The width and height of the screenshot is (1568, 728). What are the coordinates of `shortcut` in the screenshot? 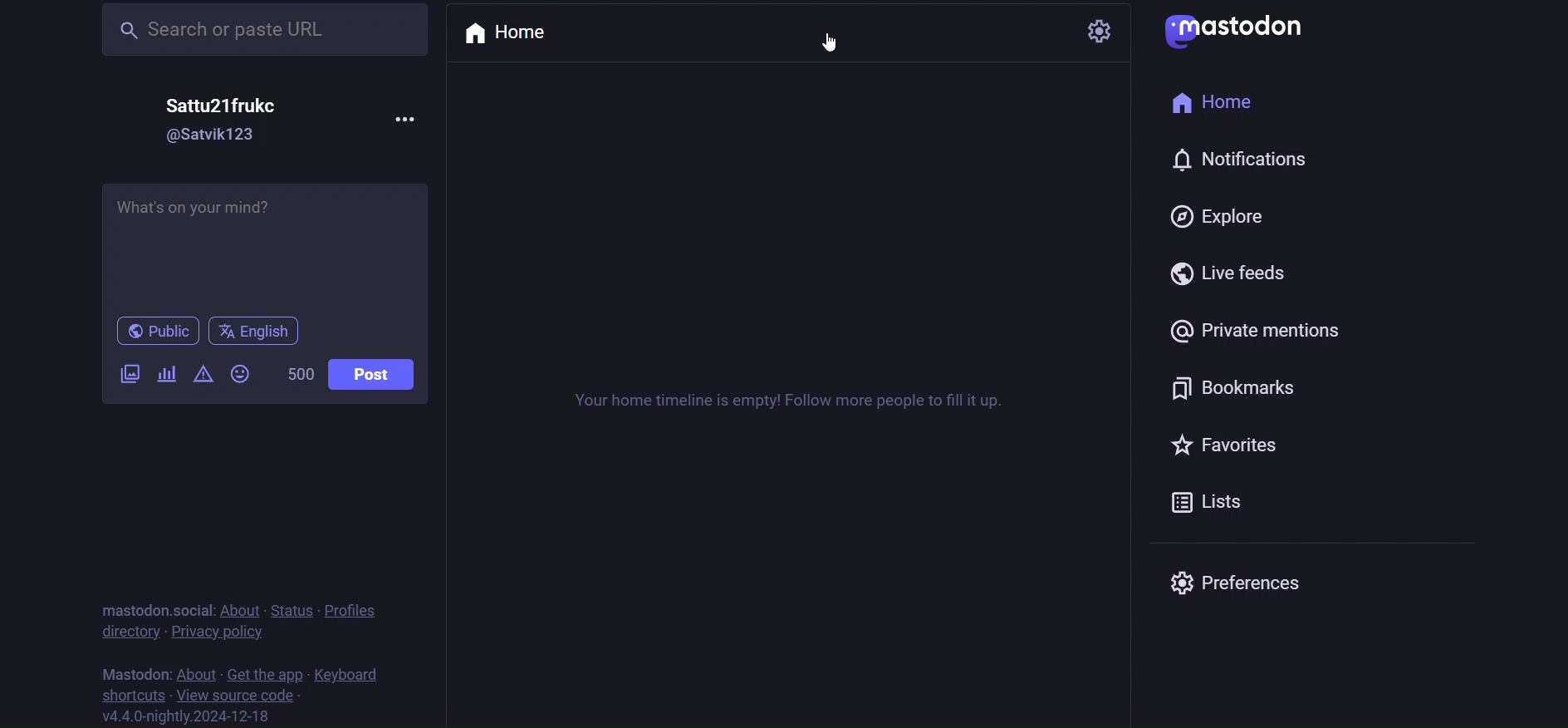 It's located at (135, 693).